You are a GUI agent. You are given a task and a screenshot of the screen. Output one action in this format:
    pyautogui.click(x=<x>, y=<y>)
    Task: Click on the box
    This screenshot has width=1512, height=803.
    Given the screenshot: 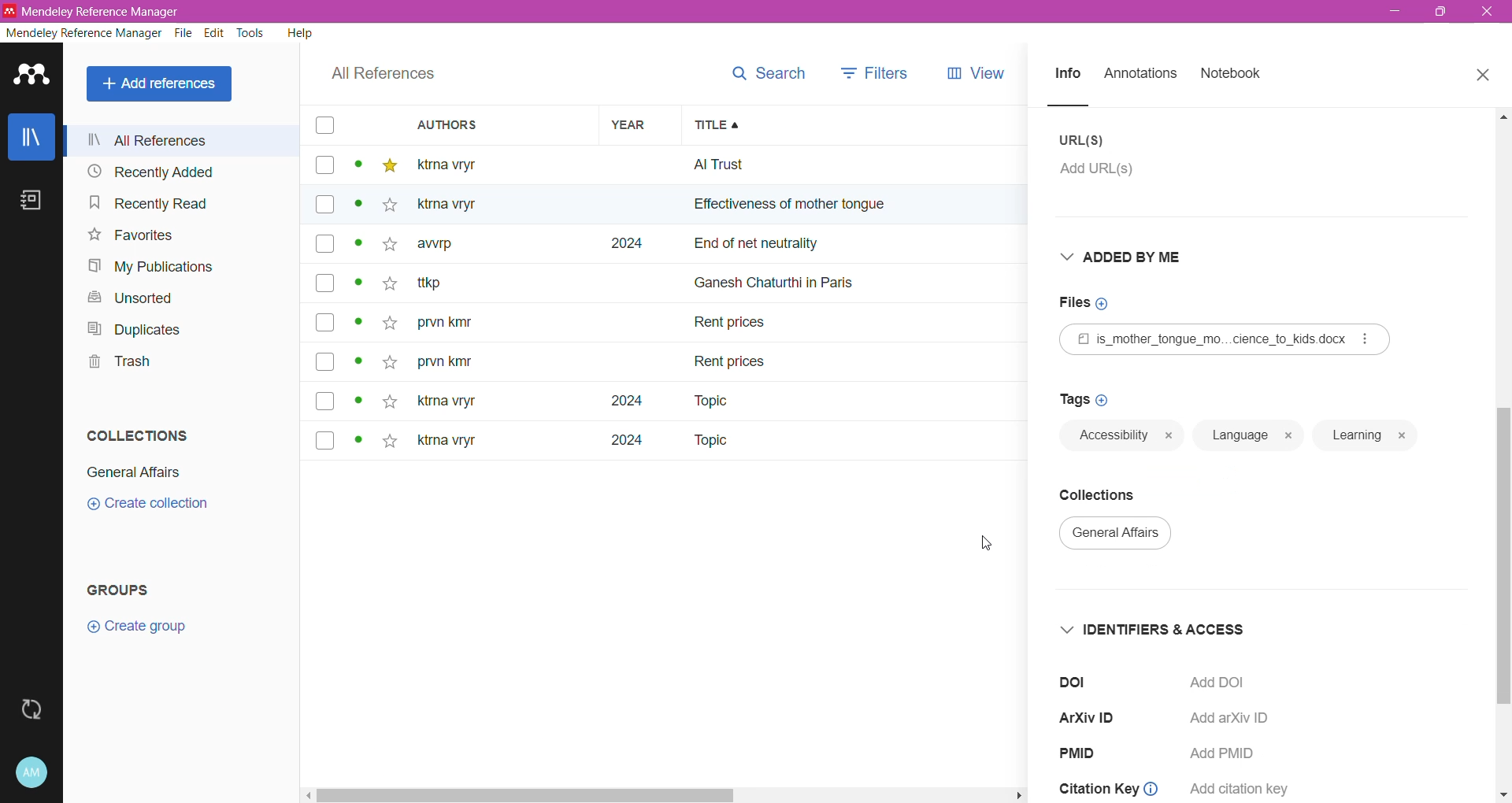 What is the action you would take?
    pyautogui.click(x=325, y=322)
    